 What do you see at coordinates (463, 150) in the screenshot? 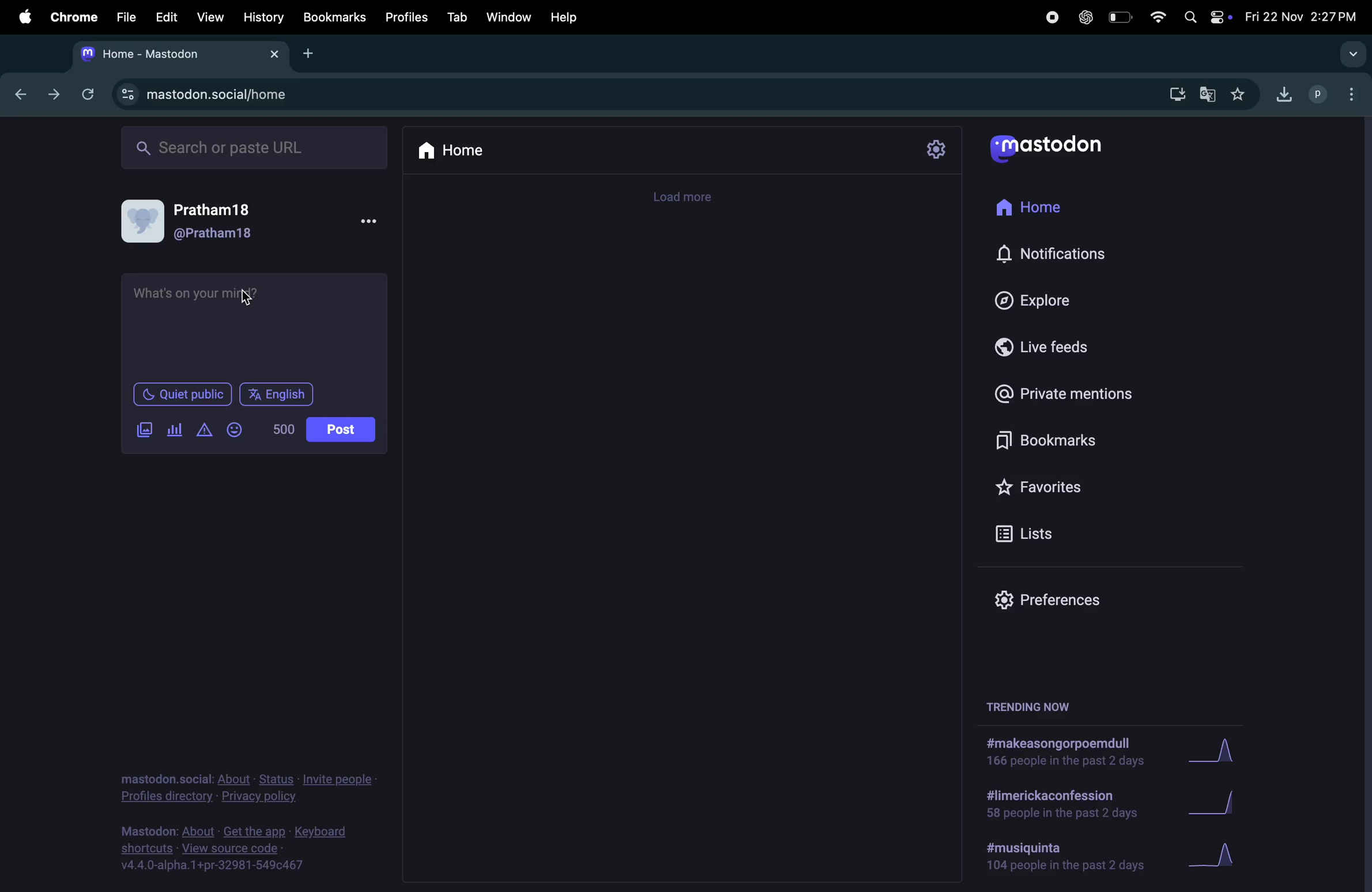
I see `home` at bounding box center [463, 150].